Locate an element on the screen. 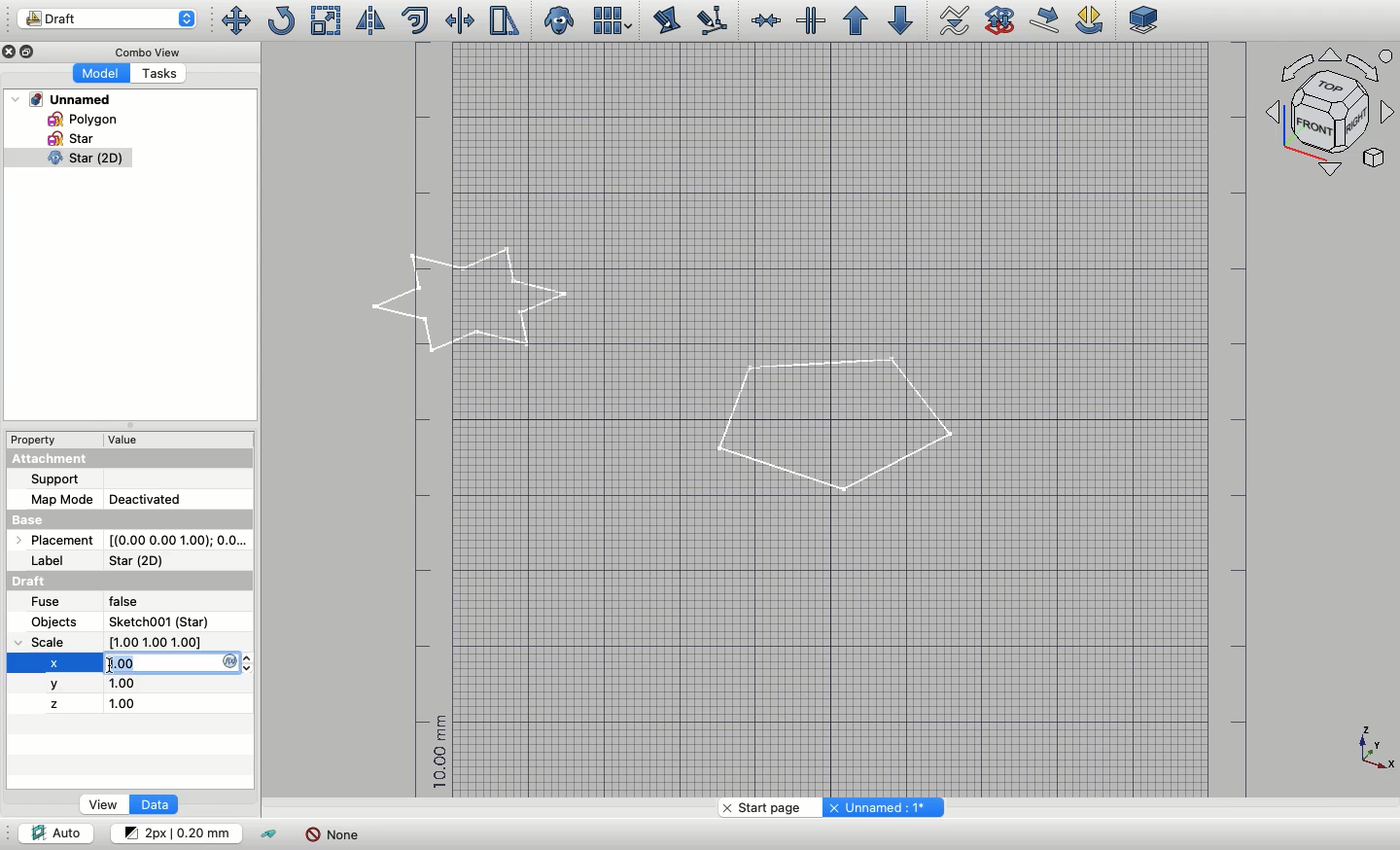 This screenshot has height=850, width=1400. Split is located at coordinates (810, 20).